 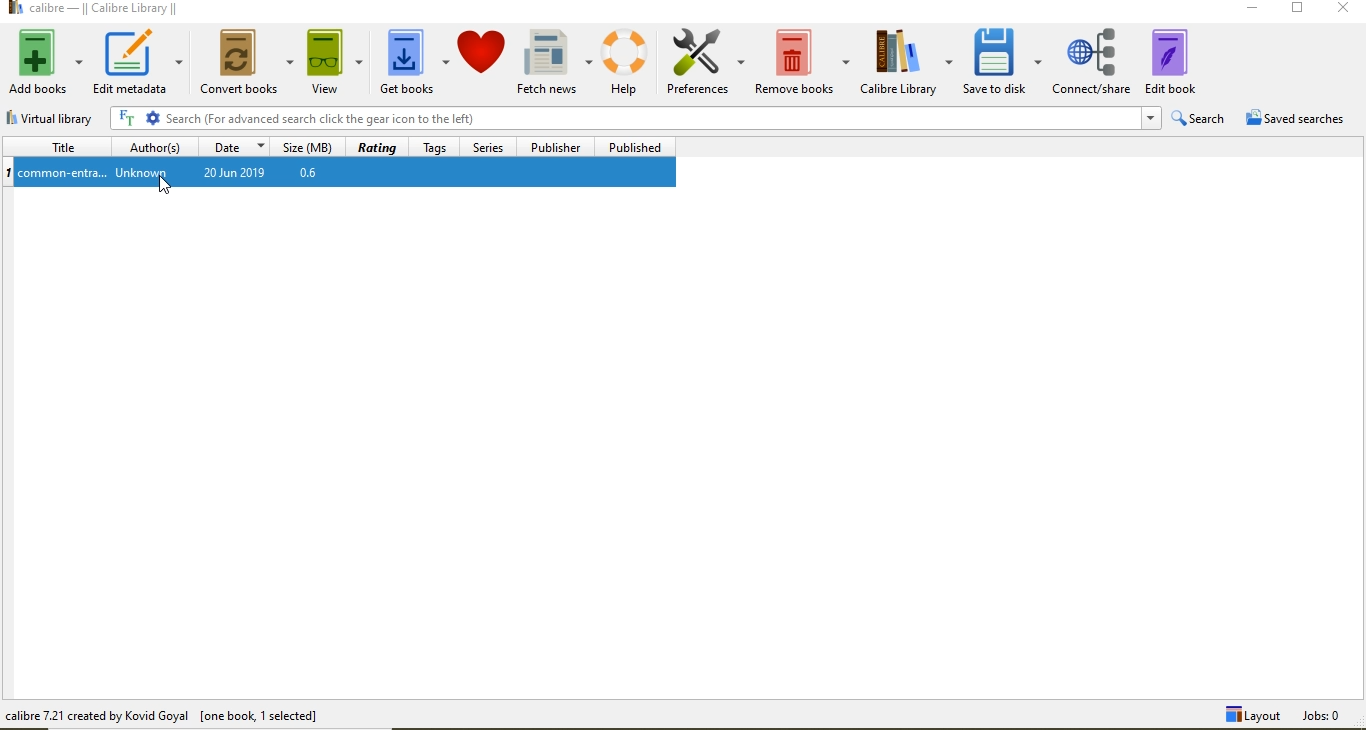 What do you see at coordinates (1092, 58) in the screenshot?
I see `connect/share` at bounding box center [1092, 58].